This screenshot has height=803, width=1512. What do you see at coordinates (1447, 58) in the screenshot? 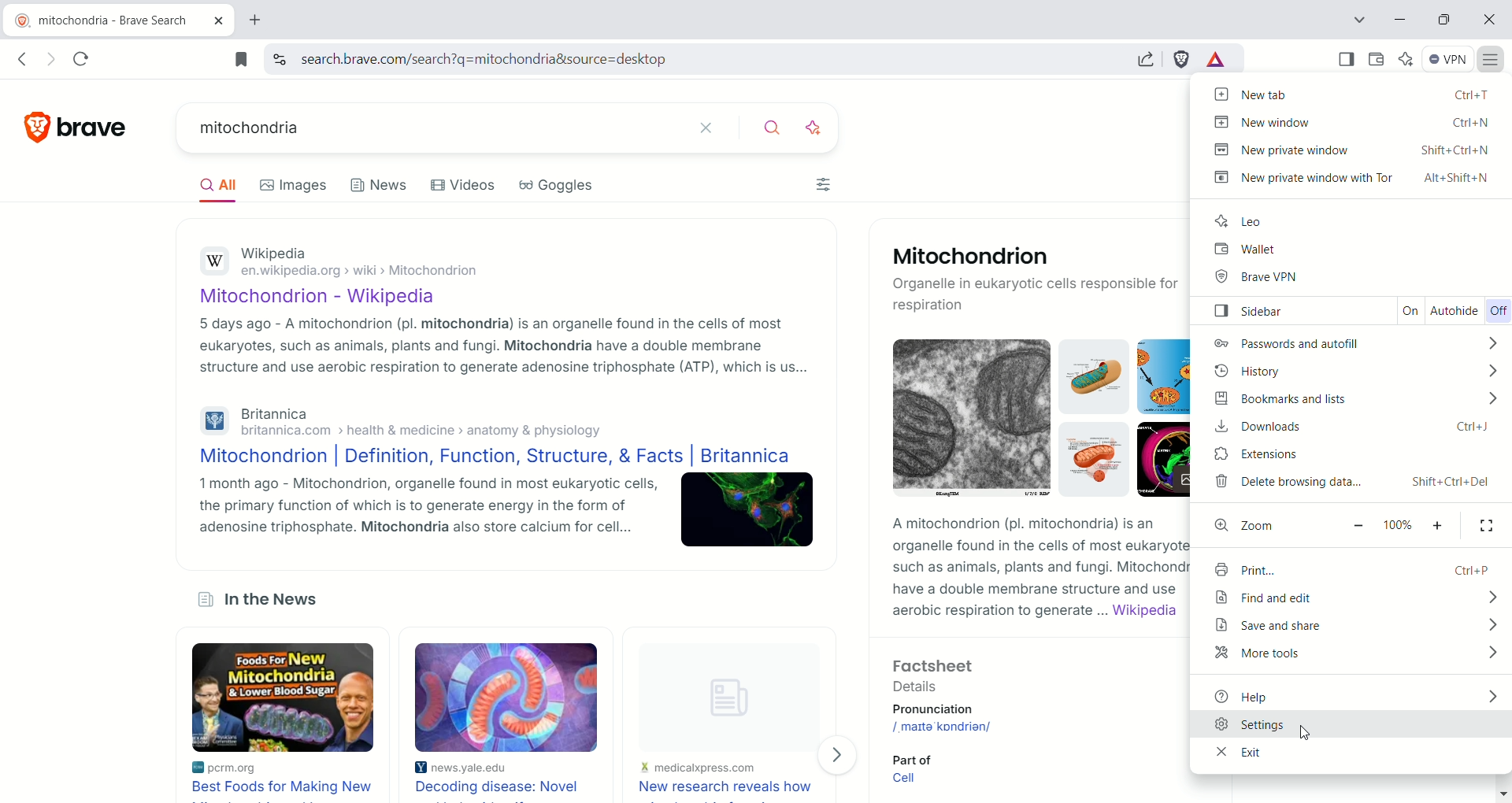
I see `VPN` at bounding box center [1447, 58].